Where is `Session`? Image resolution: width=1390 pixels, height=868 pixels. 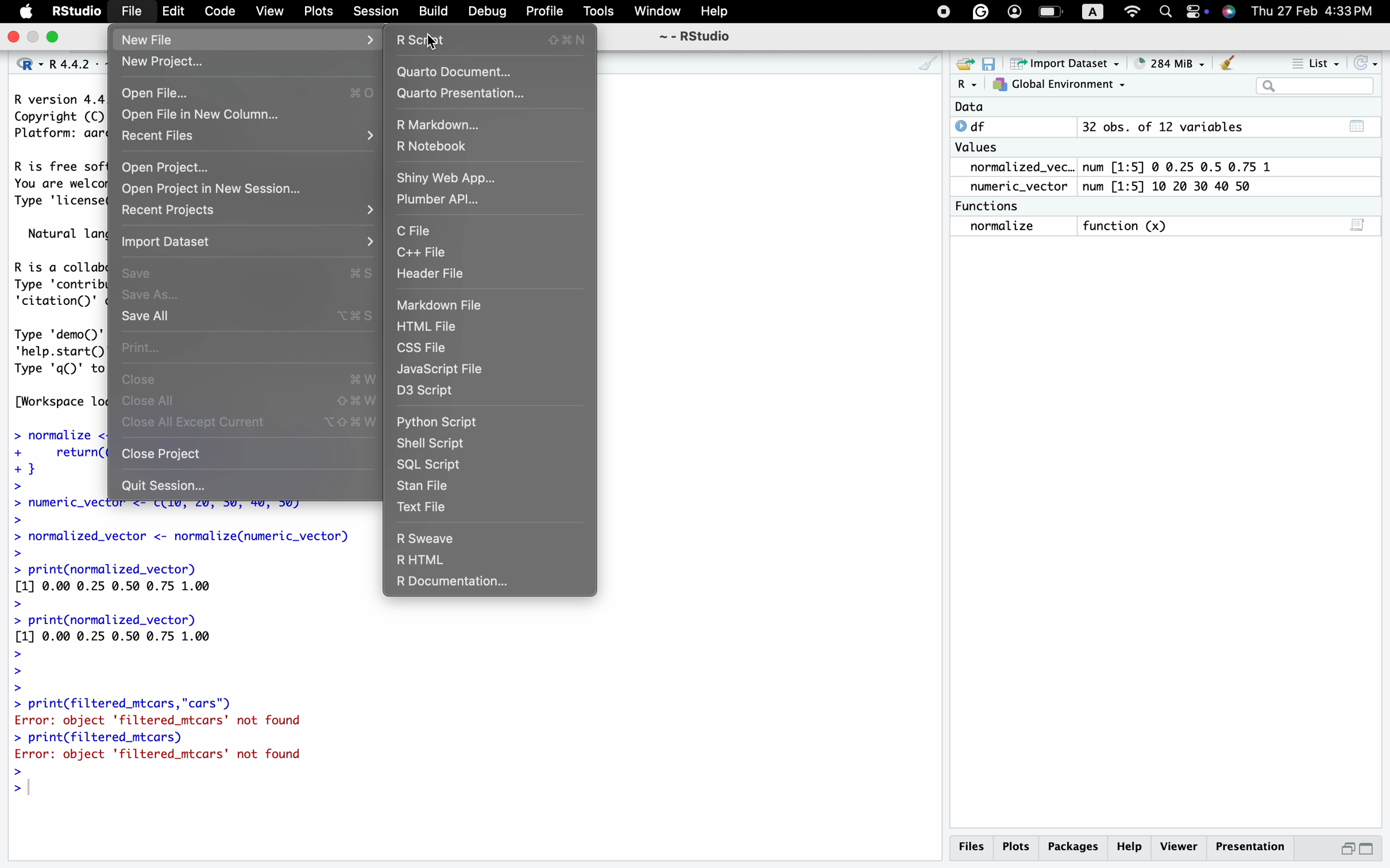
Session is located at coordinates (378, 11).